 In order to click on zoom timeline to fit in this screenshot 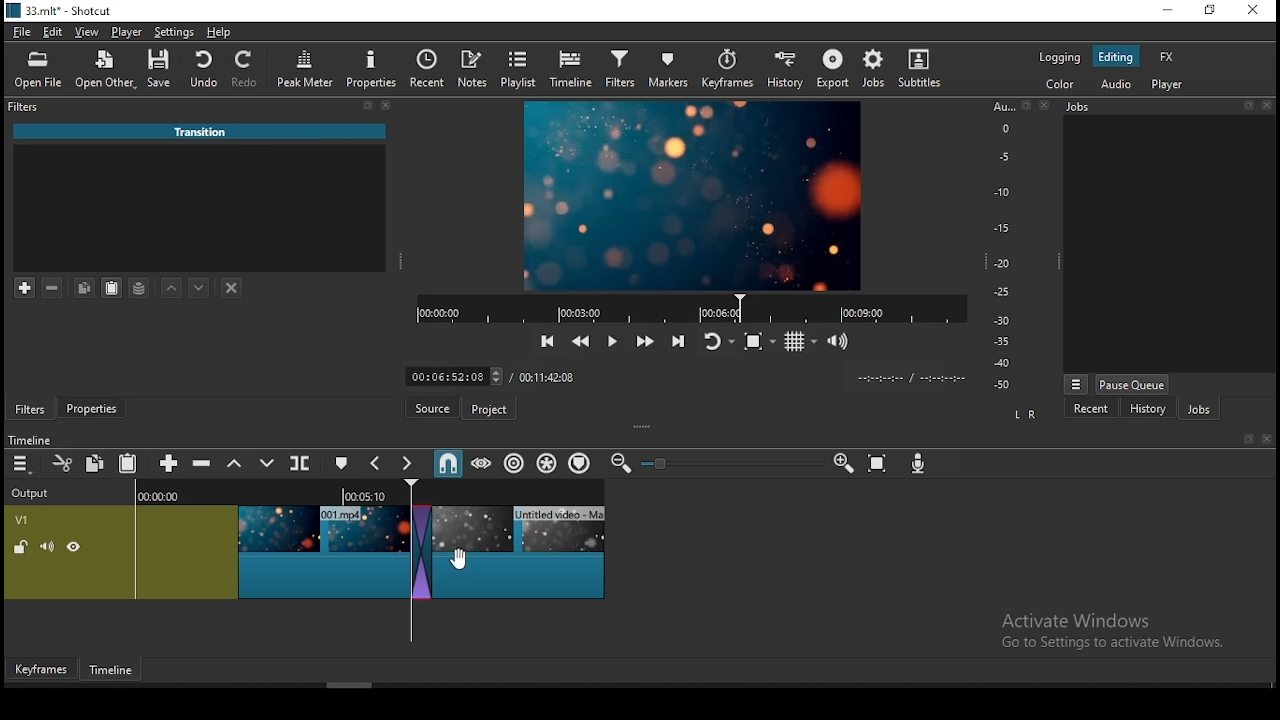, I will do `click(881, 464)`.